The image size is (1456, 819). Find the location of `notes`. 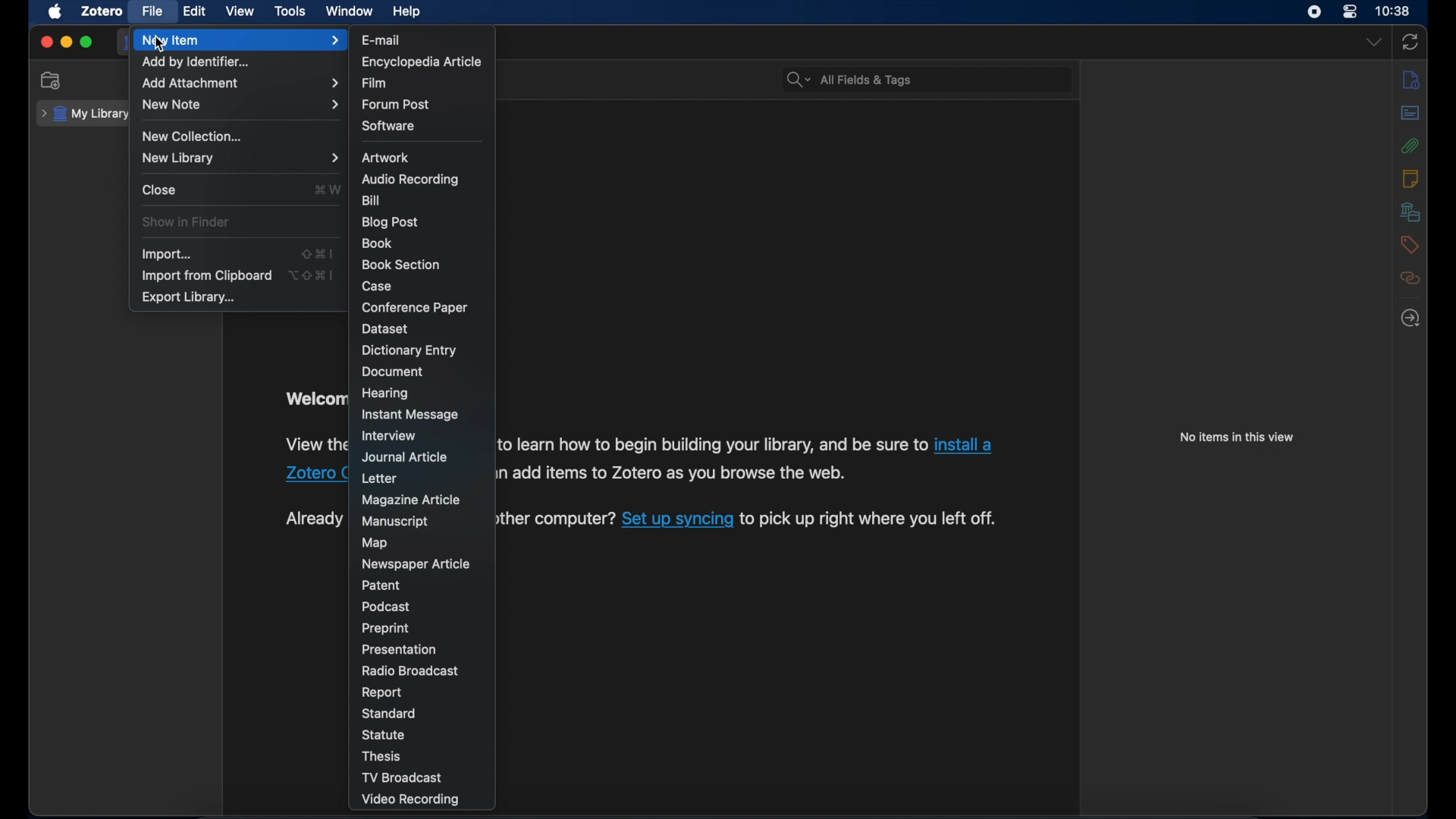

notes is located at coordinates (1410, 179).